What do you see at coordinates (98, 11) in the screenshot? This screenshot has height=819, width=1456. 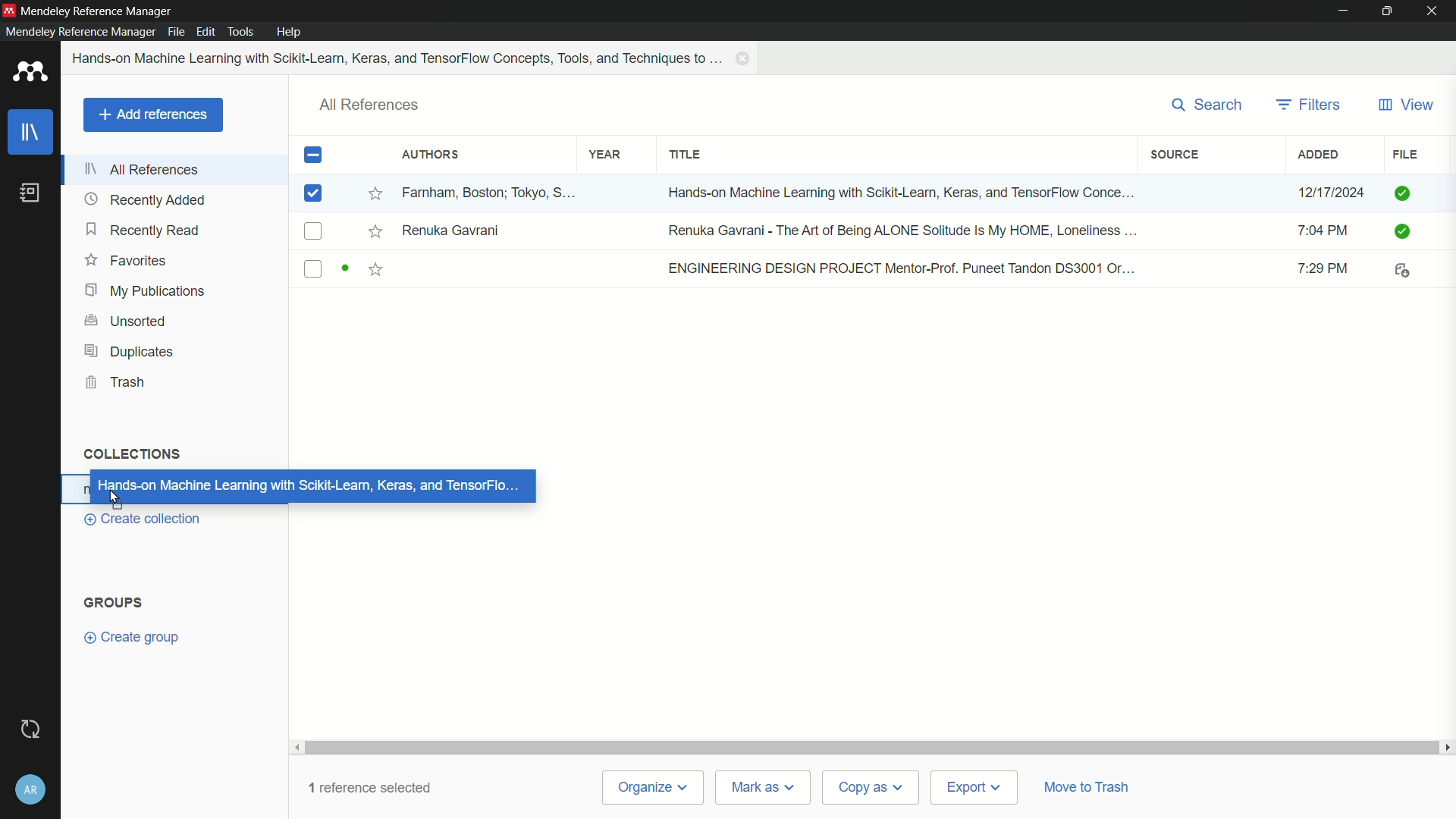 I see `app name` at bounding box center [98, 11].